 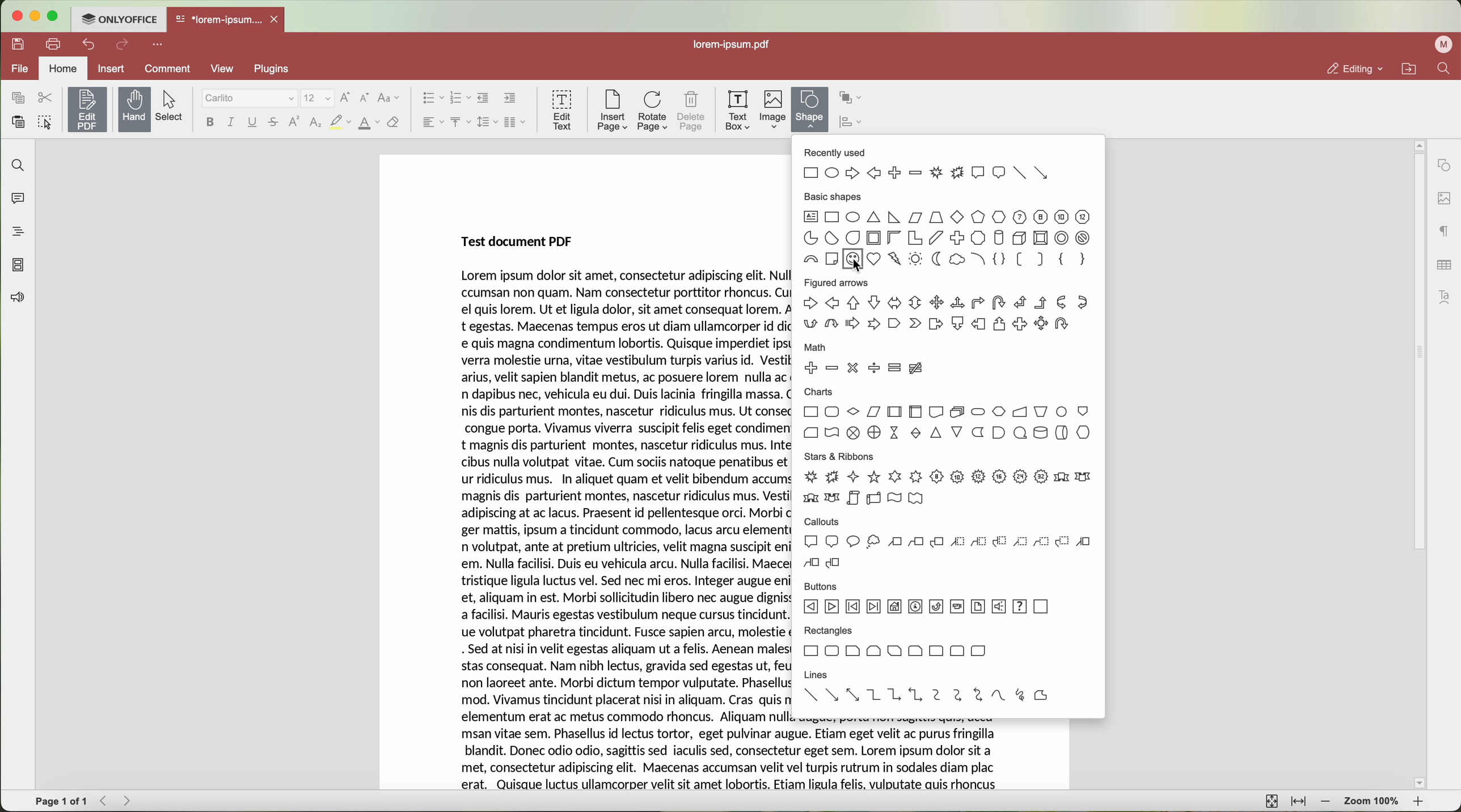 What do you see at coordinates (45, 98) in the screenshot?
I see `cut` at bounding box center [45, 98].